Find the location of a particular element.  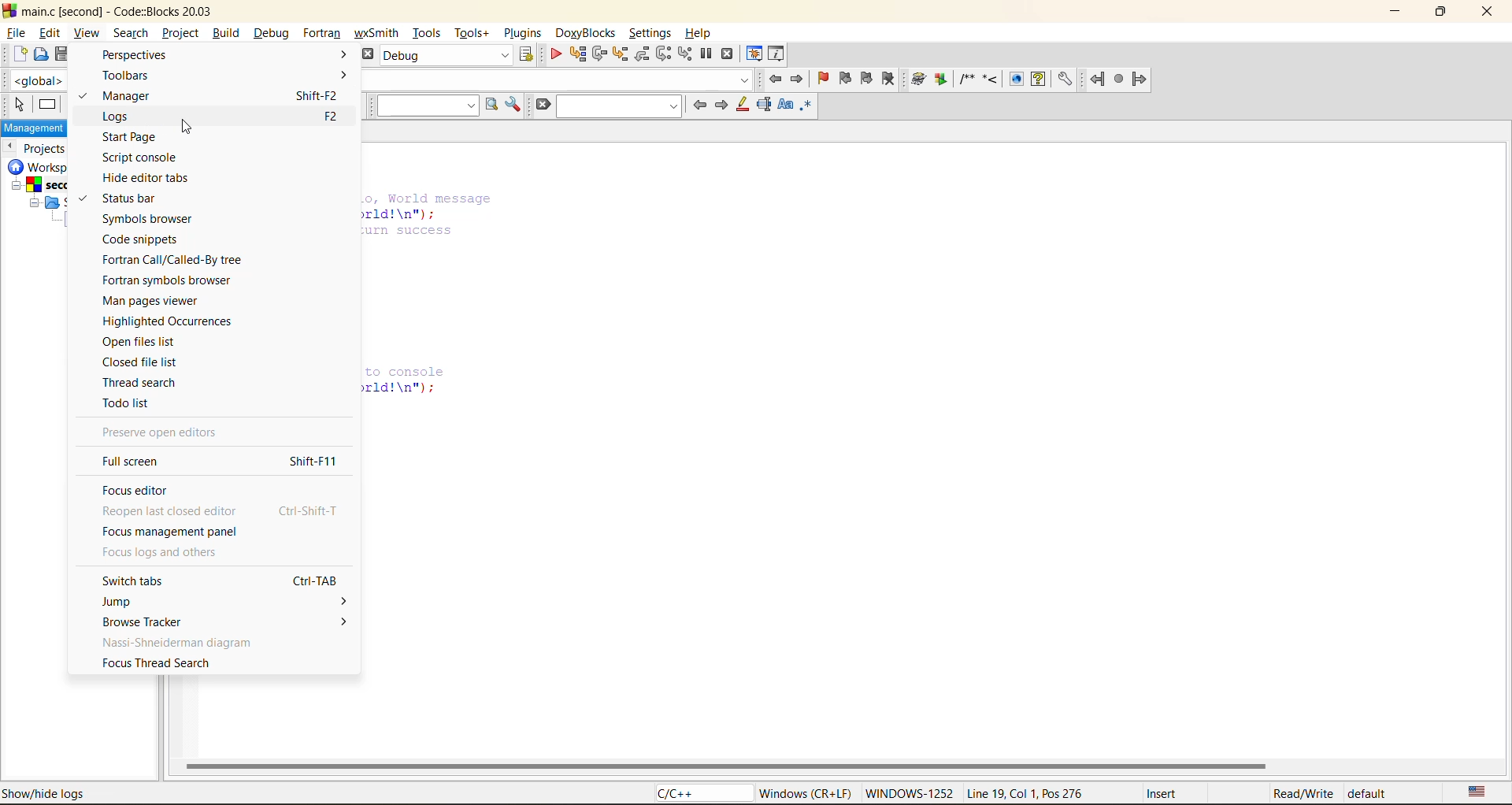

full screen is located at coordinates (139, 462).